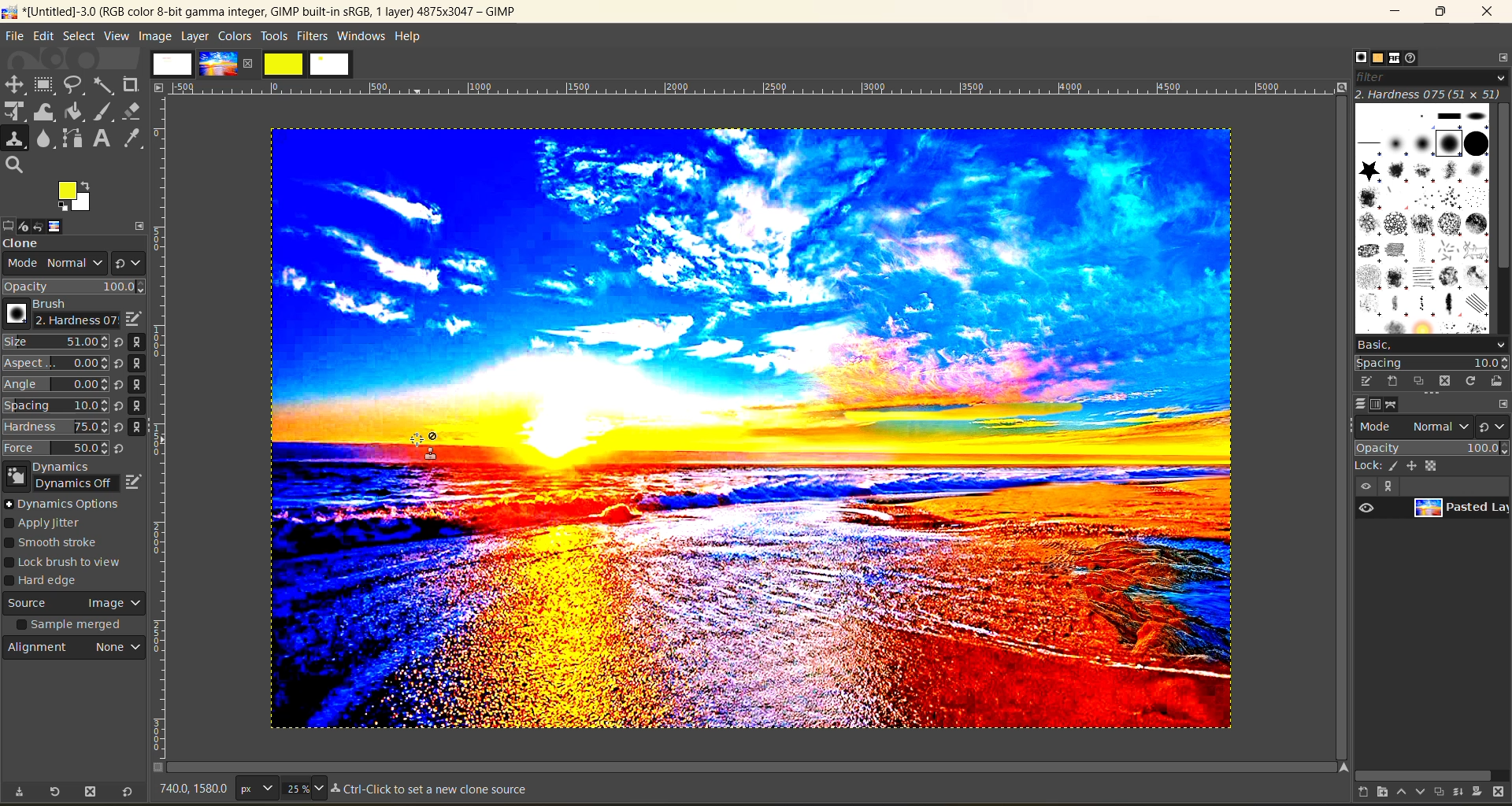 The image size is (1512, 806). Describe the element at coordinates (76, 84) in the screenshot. I see `free select tool` at that location.